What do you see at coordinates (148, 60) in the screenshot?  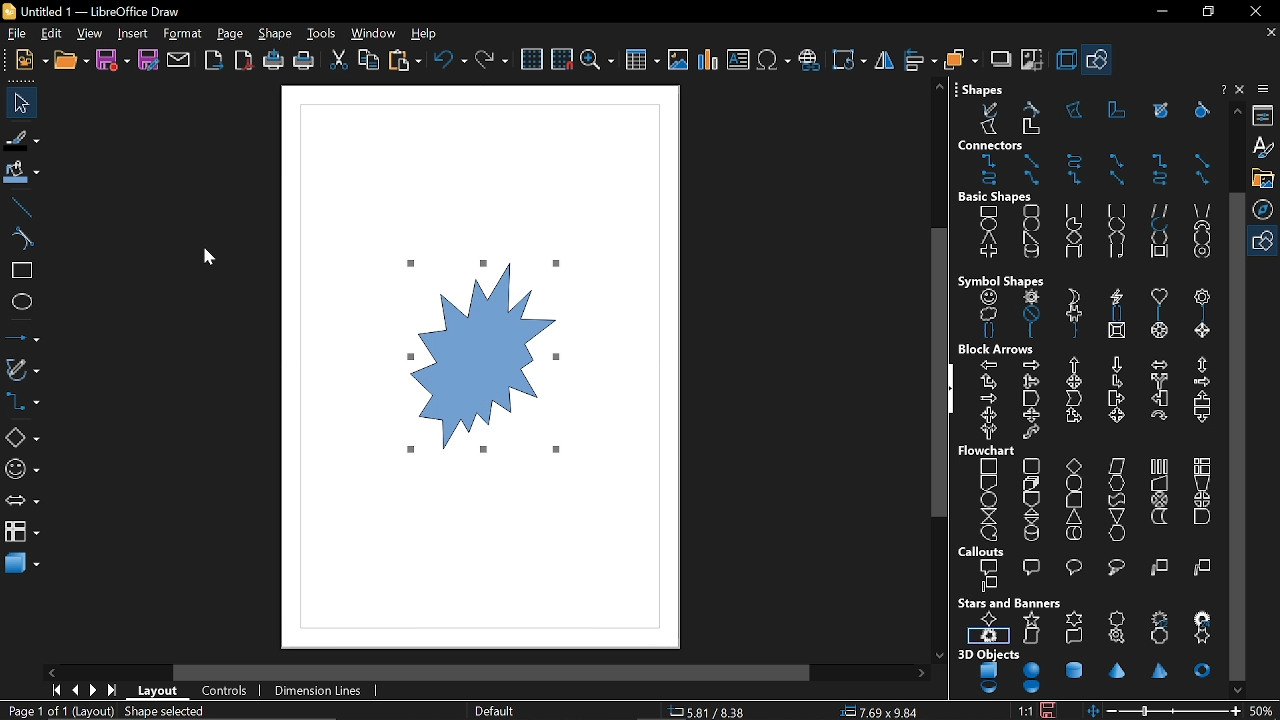 I see `save as` at bounding box center [148, 60].